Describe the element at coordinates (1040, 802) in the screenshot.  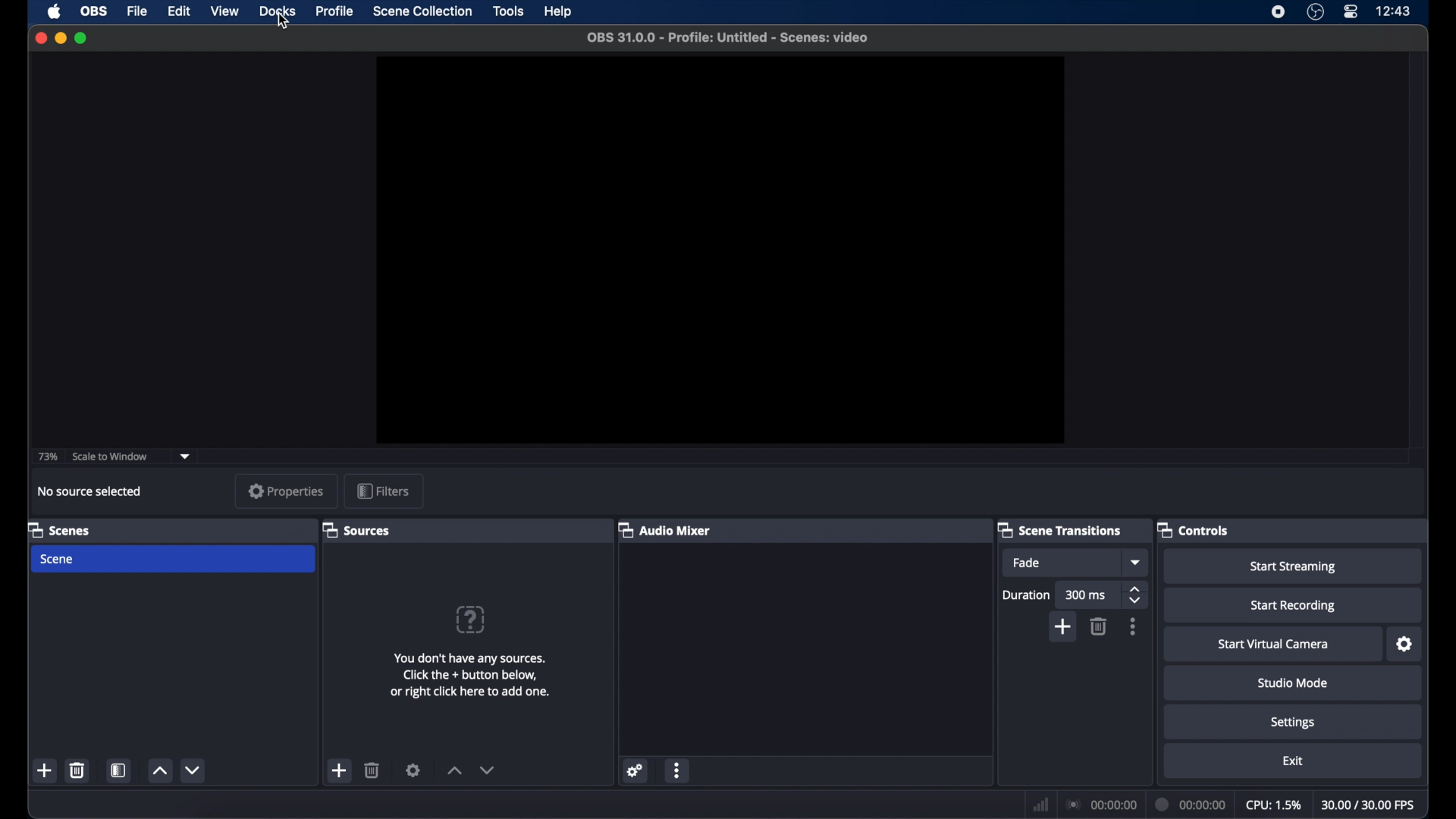
I see `network` at that location.